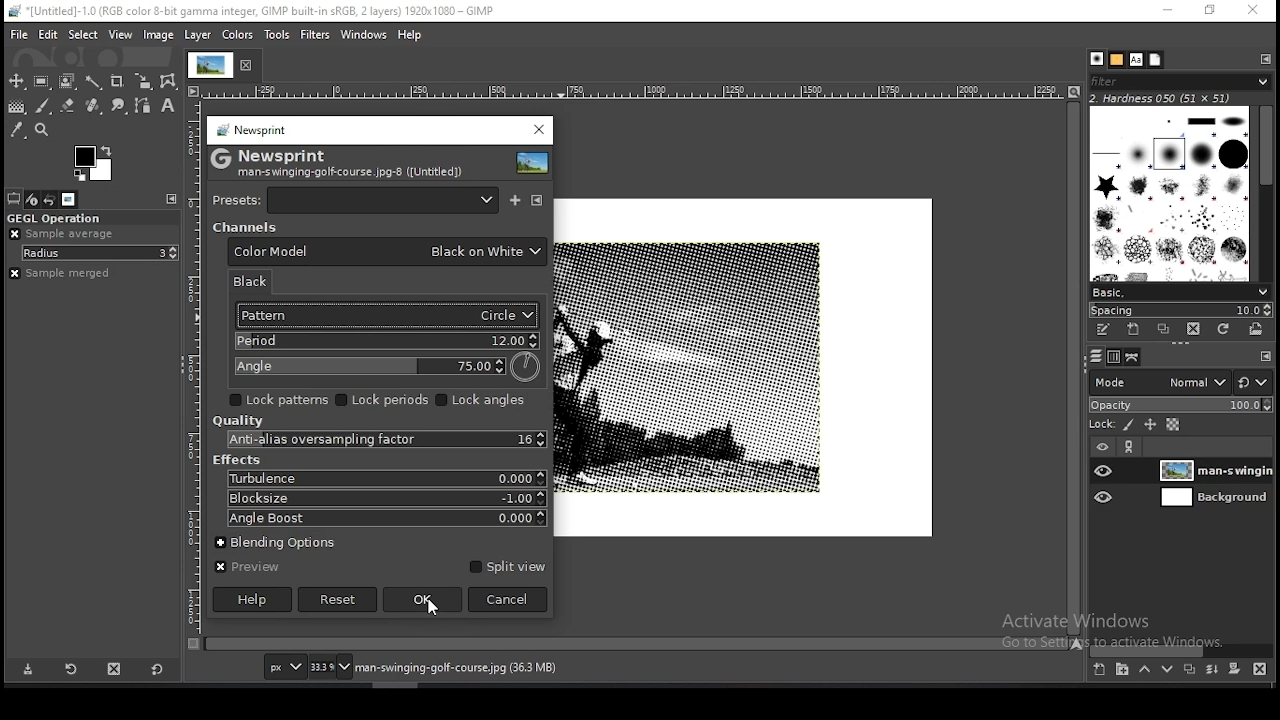 This screenshot has height=720, width=1280. What do you see at coordinates (1193, 329) in the screenshot?
I see `delete brush` at bounding box center [1193, 329].